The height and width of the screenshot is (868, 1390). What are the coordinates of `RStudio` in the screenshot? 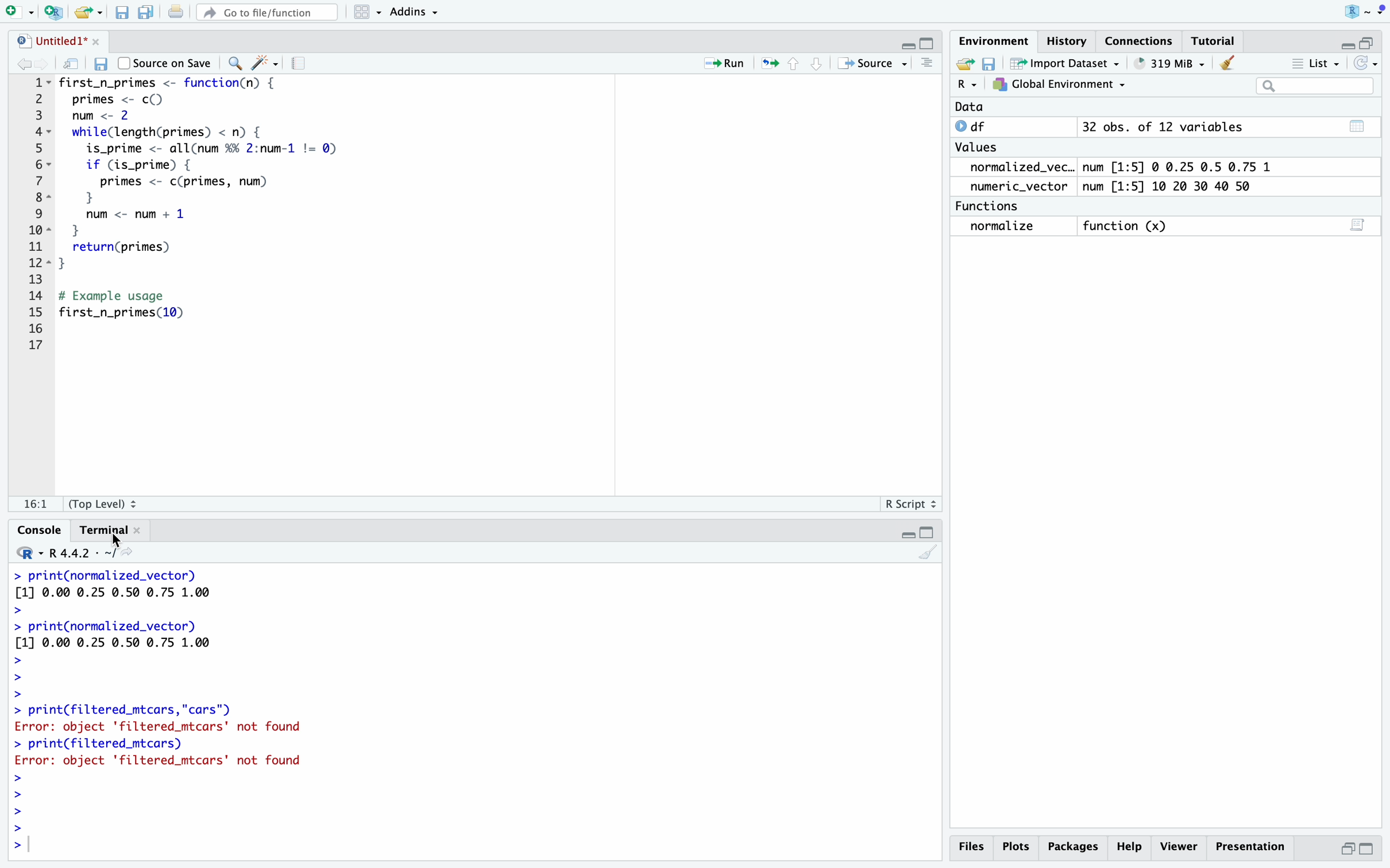 It's located at (78, 11).